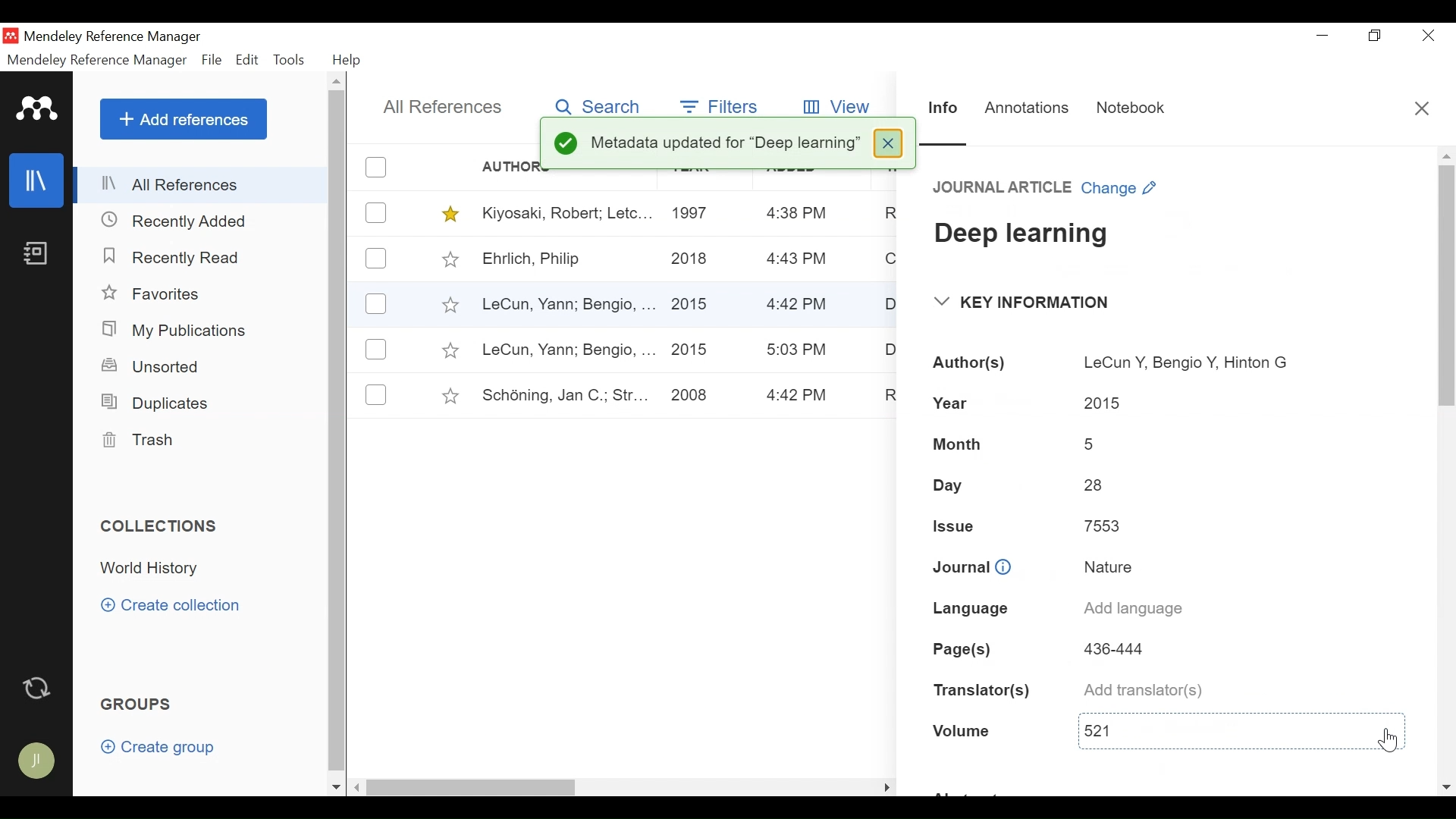 The image size is (1456, 819). What do you see at coordinates (720, 105) in the screenshot?
I see `Filters` at bounding box center [720, 105].